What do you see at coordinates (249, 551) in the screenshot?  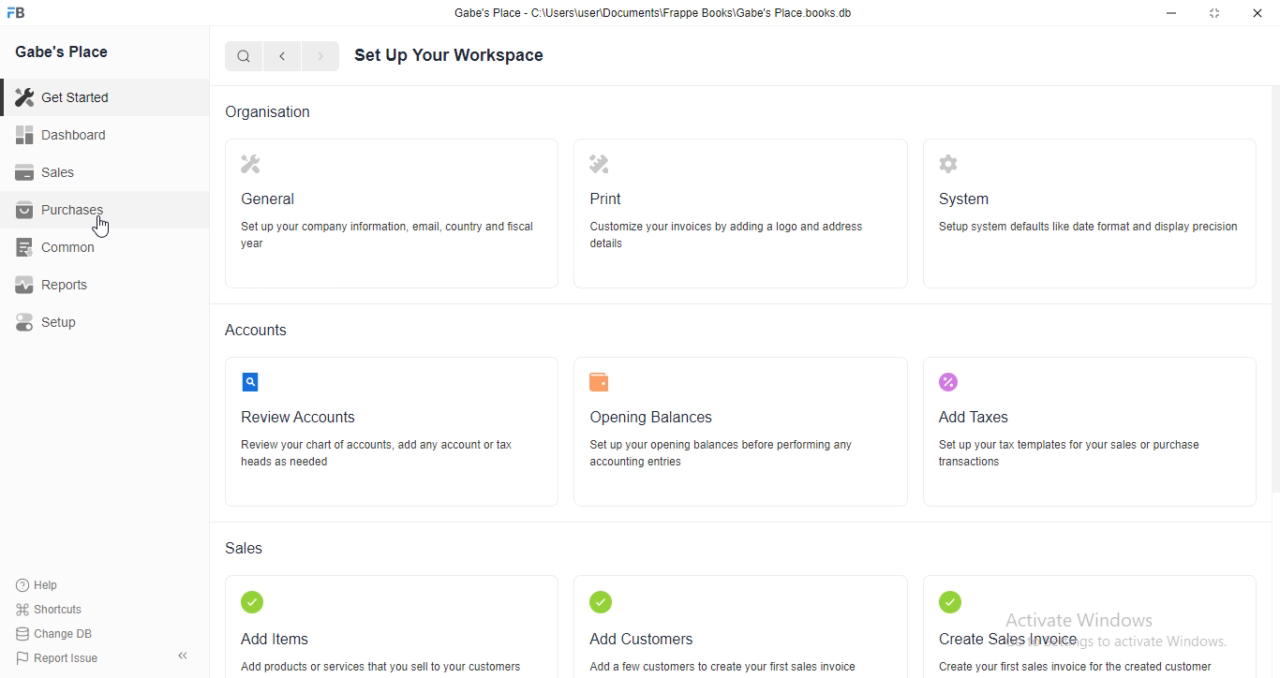 I see `Sales` at bounding box center [249, 551].